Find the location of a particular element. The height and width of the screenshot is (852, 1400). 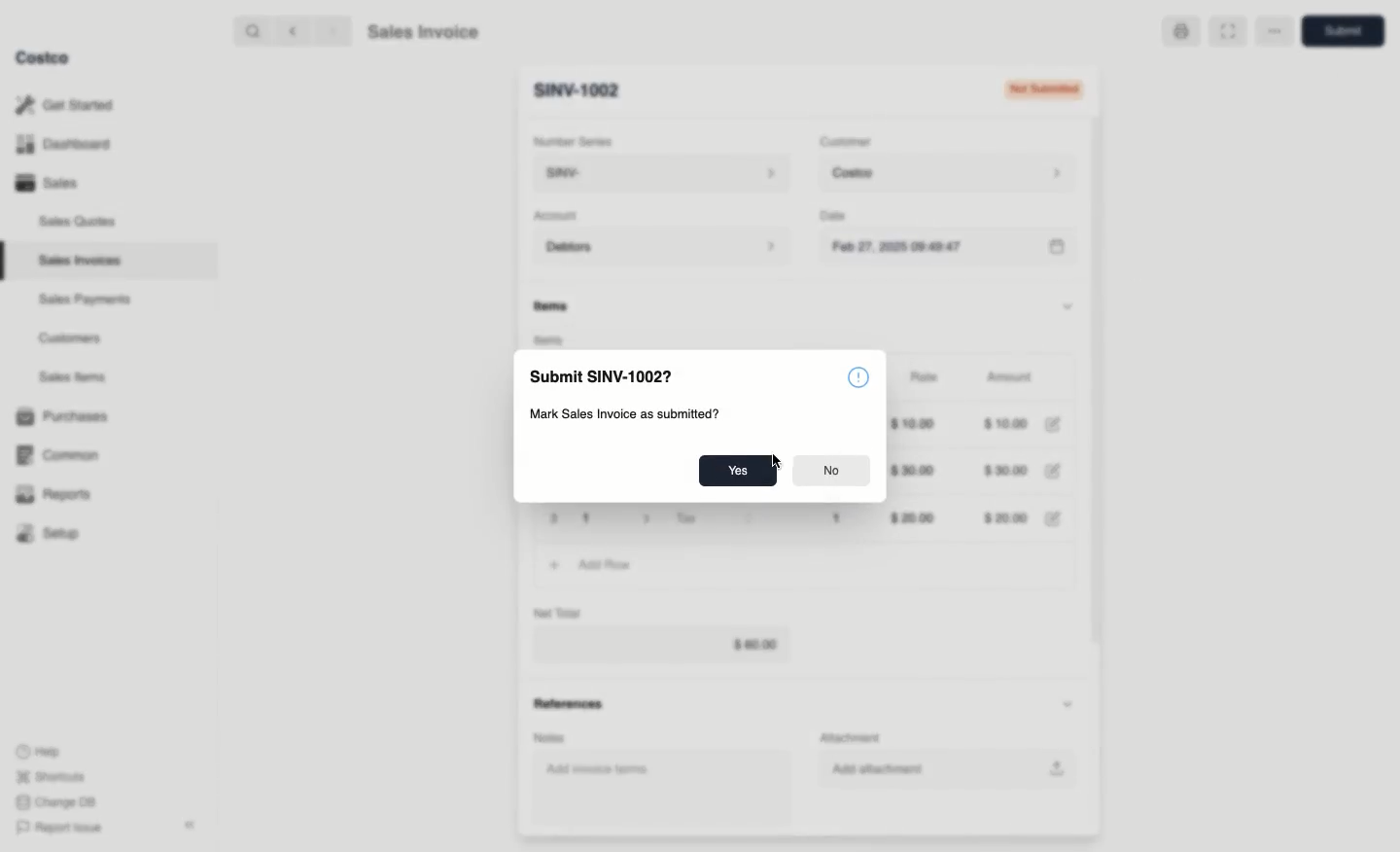

backward is located at coordinates (289, 30).